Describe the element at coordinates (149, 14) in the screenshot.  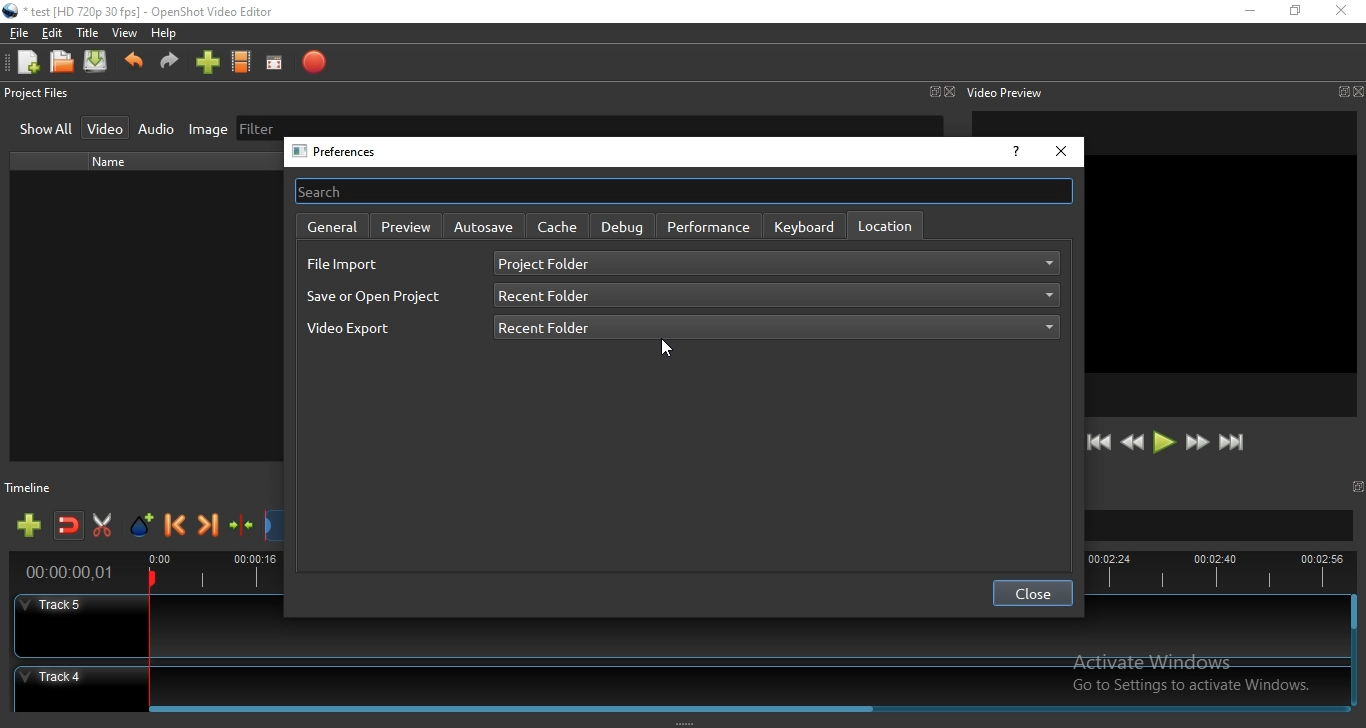
I see `" test [HD 720p 30 fps] - OpenShot Video Editor` at that location.